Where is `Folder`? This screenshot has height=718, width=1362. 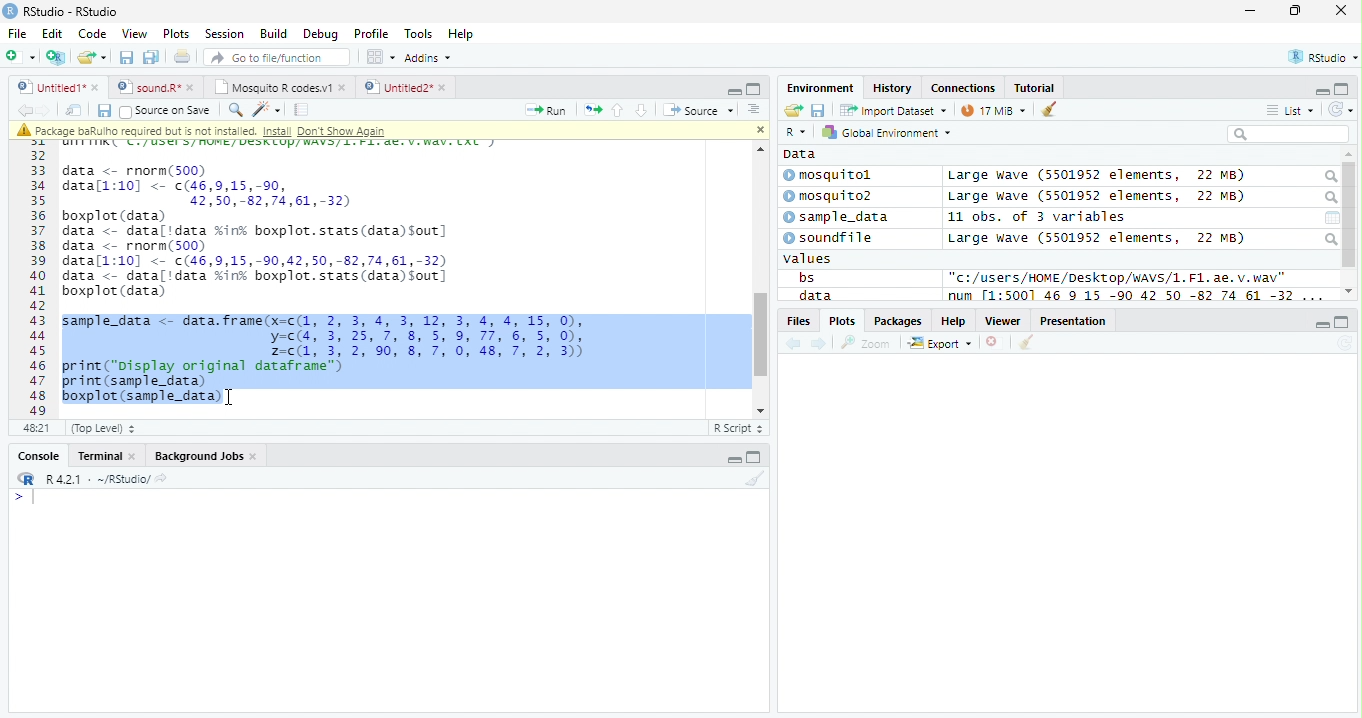
Folder is located at coordinates (793, 110).